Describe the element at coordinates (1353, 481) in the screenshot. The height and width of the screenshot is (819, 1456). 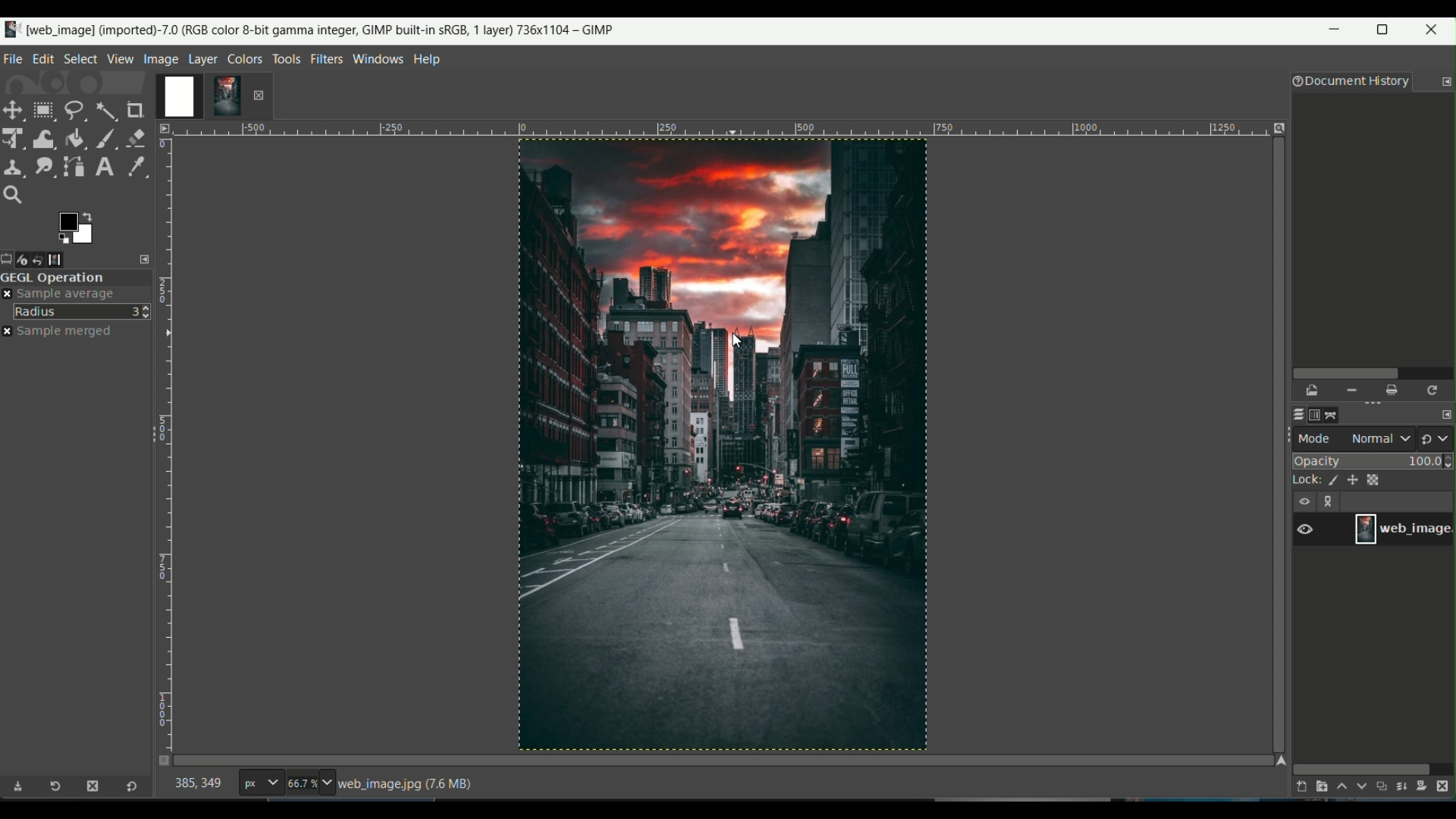
I see `lock size and position` at that location.